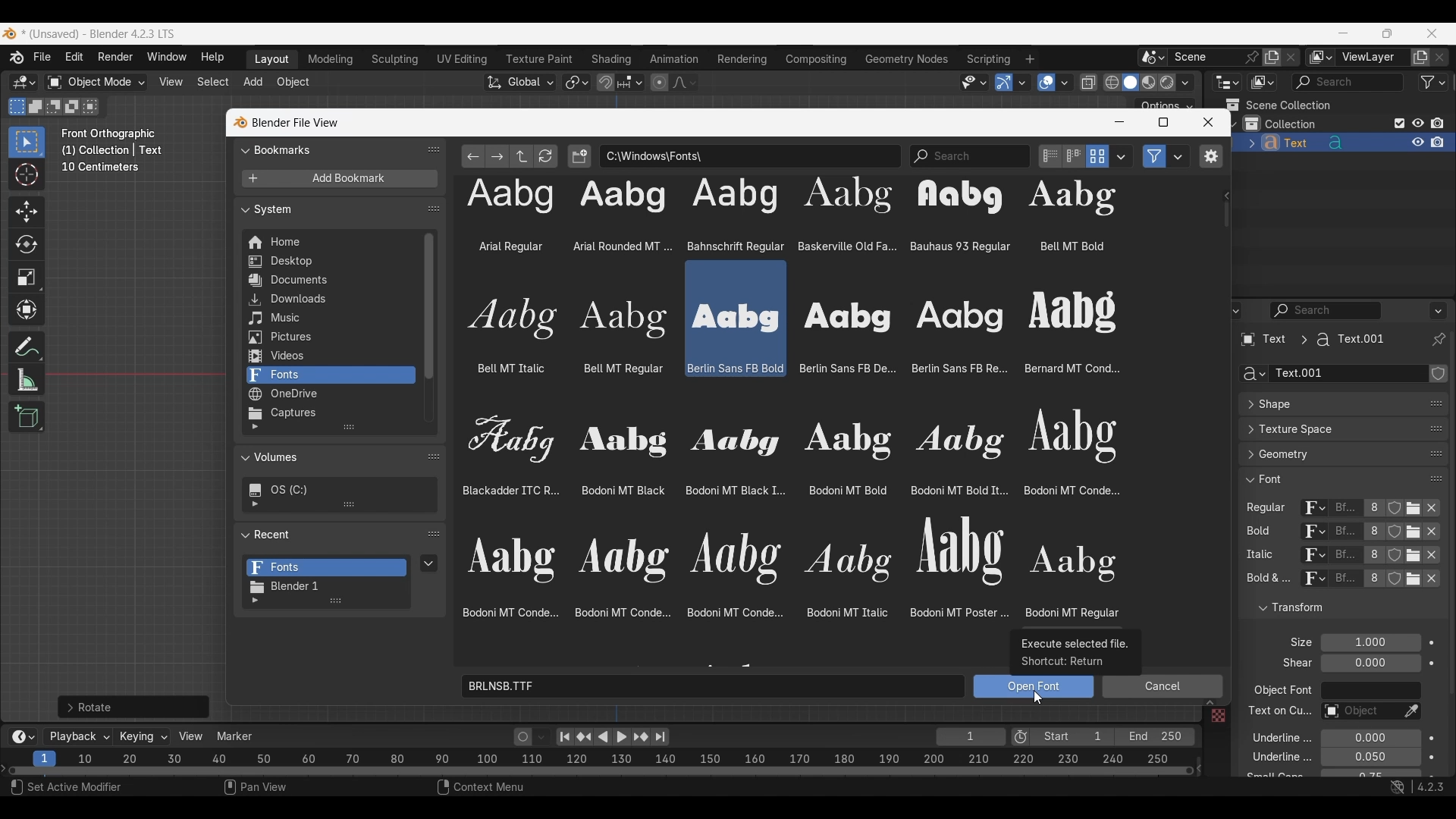  I want to click on Minimize, so click(1344, 33).